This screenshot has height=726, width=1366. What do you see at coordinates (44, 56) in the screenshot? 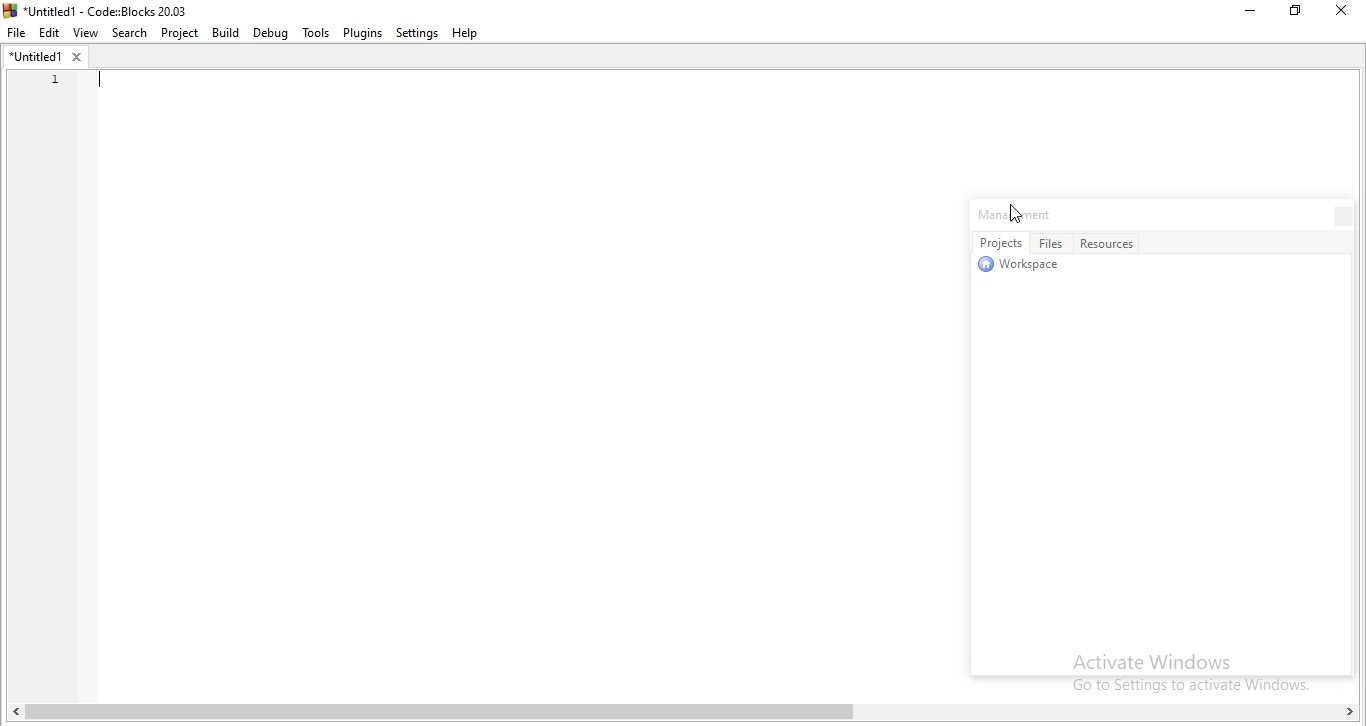
I see `Untitled1` at bounding box center [44, 56].